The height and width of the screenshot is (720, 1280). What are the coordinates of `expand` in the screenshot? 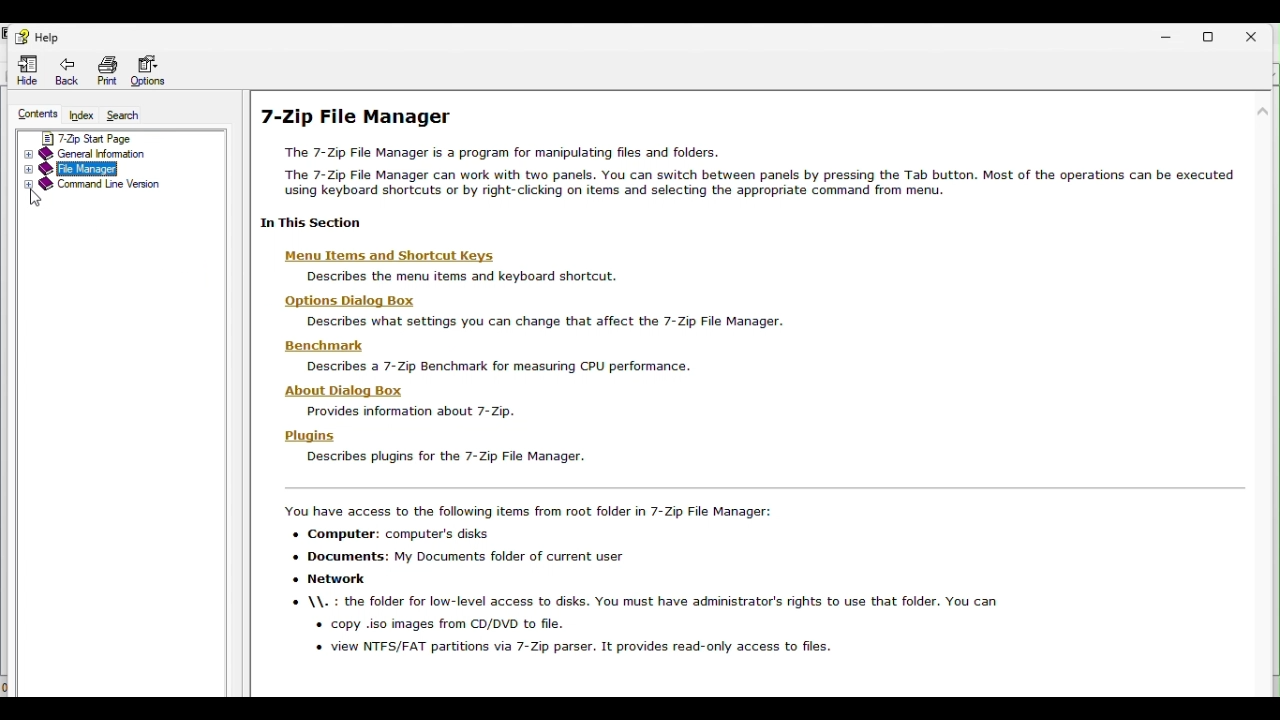 It's located at (27, 156).